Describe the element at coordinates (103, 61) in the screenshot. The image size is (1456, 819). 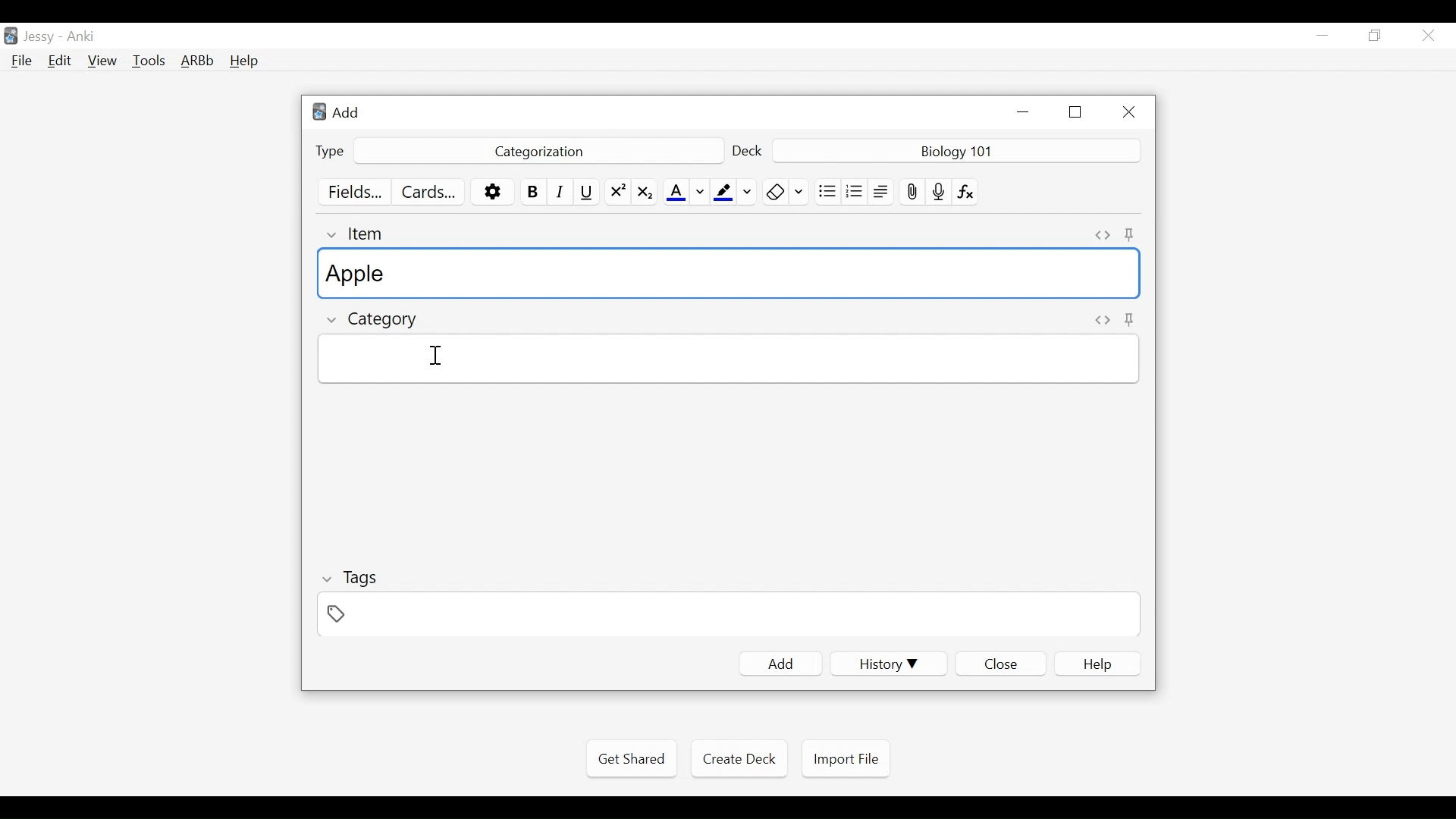
I see `View` at that location.